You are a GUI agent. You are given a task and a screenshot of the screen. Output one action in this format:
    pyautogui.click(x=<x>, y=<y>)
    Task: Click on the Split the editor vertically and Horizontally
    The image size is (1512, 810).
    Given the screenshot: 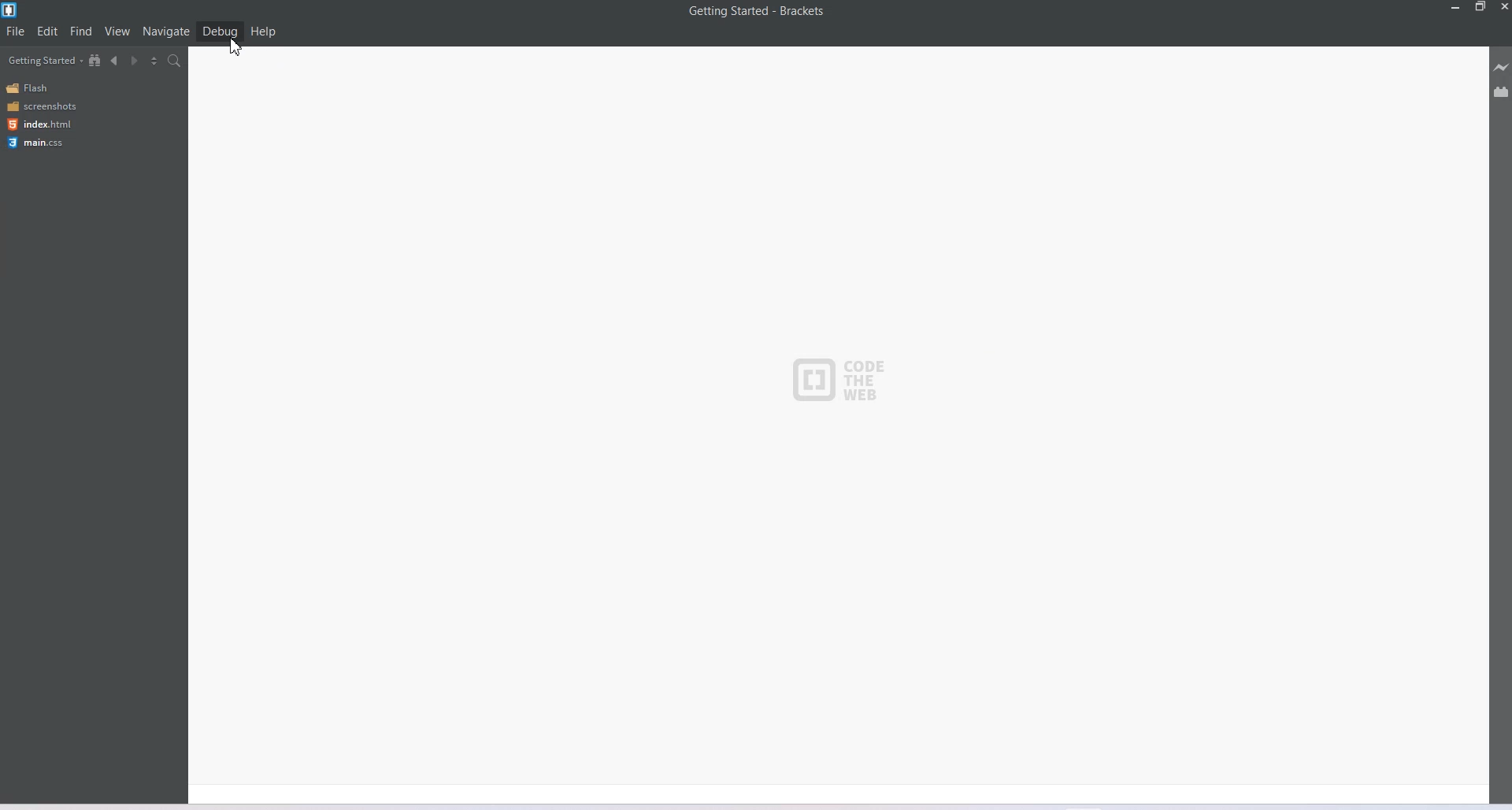 What is the action you would take?
    pyautogui.click(x=154, y=60)
    